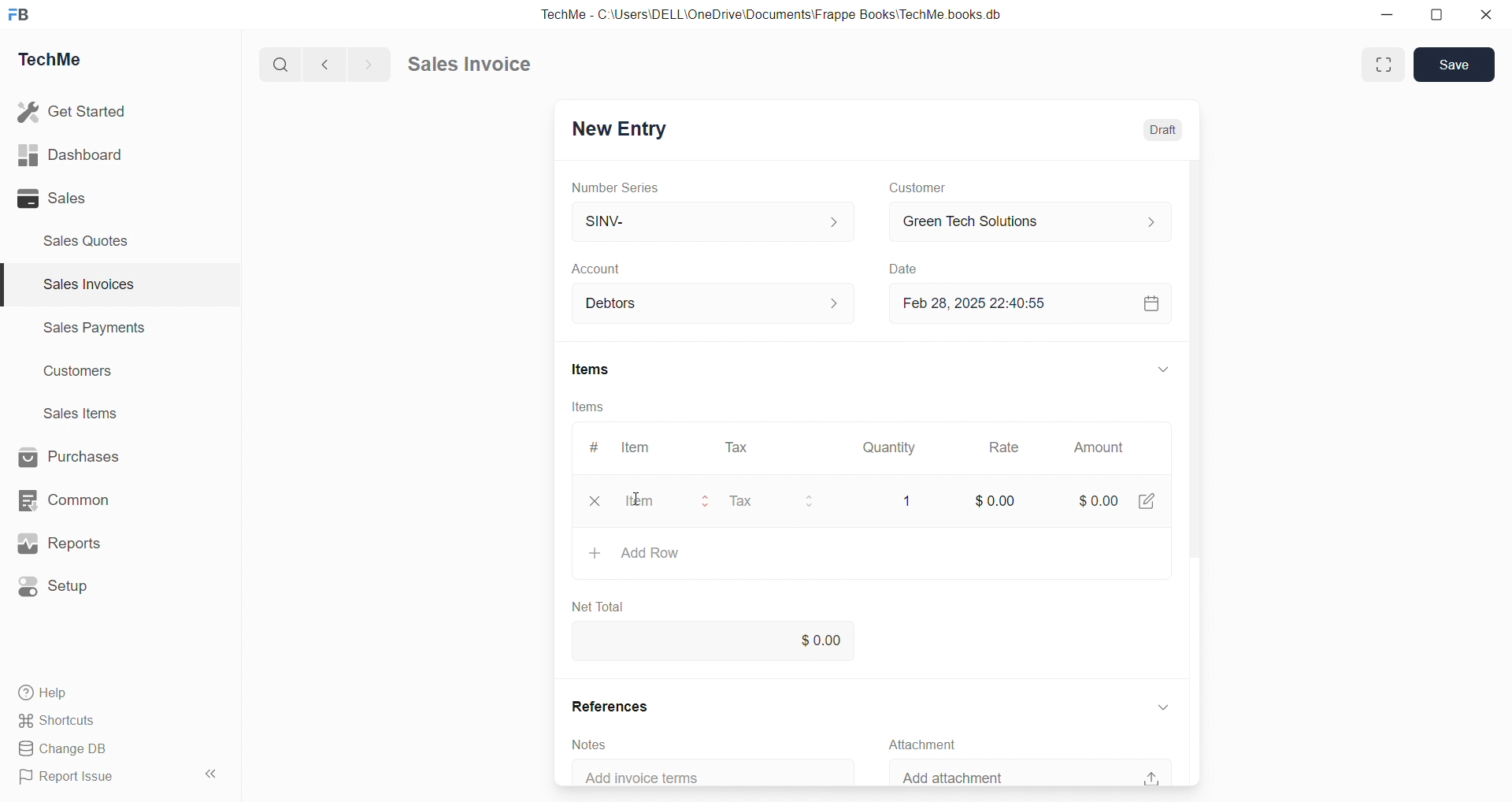 This screenshot has height=802, width=1512. What do you see at coordinates (713, 220) in the screenshot?
I see `SINV-` at bounding box center [713, 220].